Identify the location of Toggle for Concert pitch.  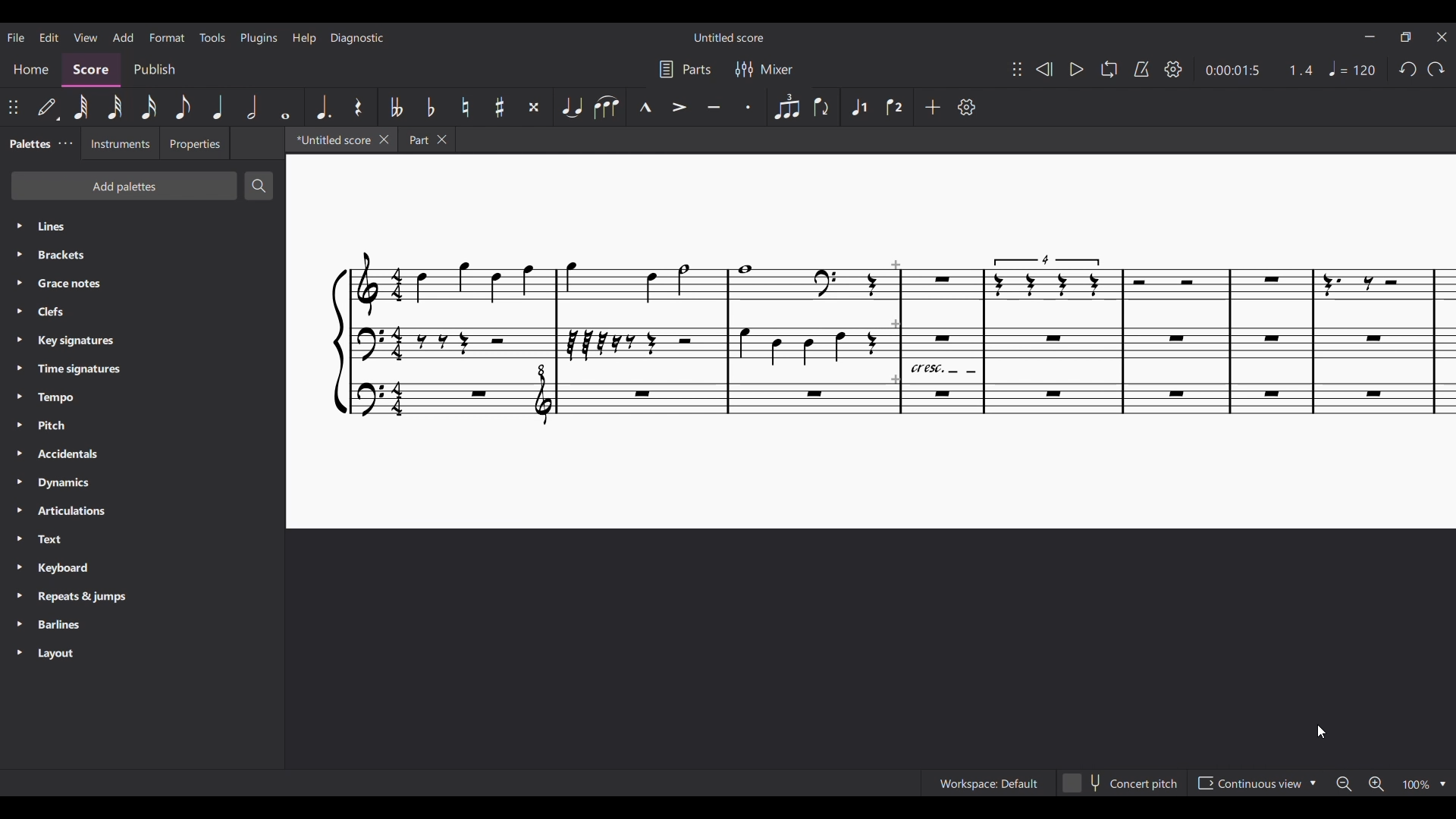
(1134, 786).